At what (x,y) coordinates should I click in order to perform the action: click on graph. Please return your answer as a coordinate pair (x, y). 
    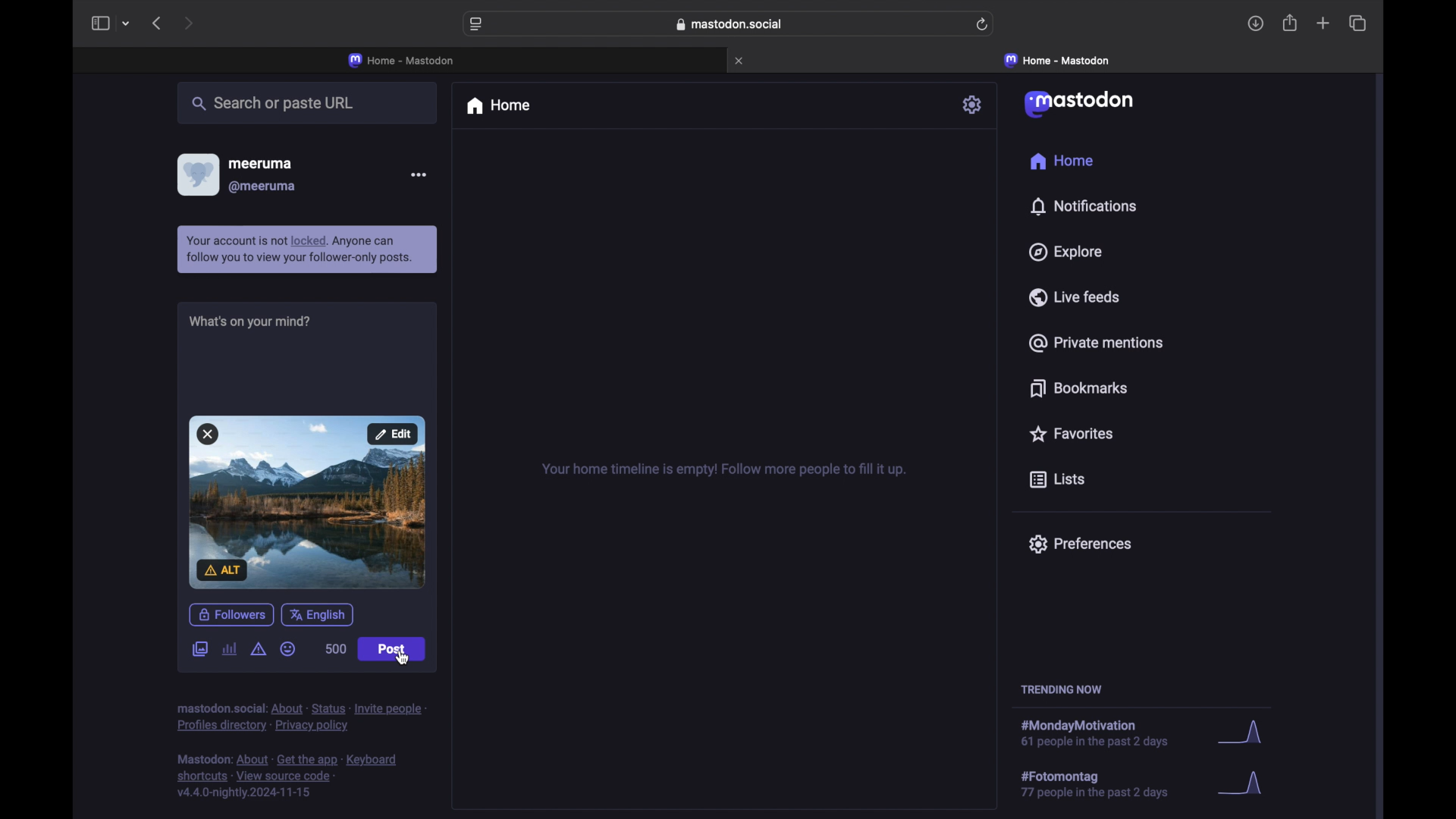
    Looking at the image, I should click on (1240, 728).